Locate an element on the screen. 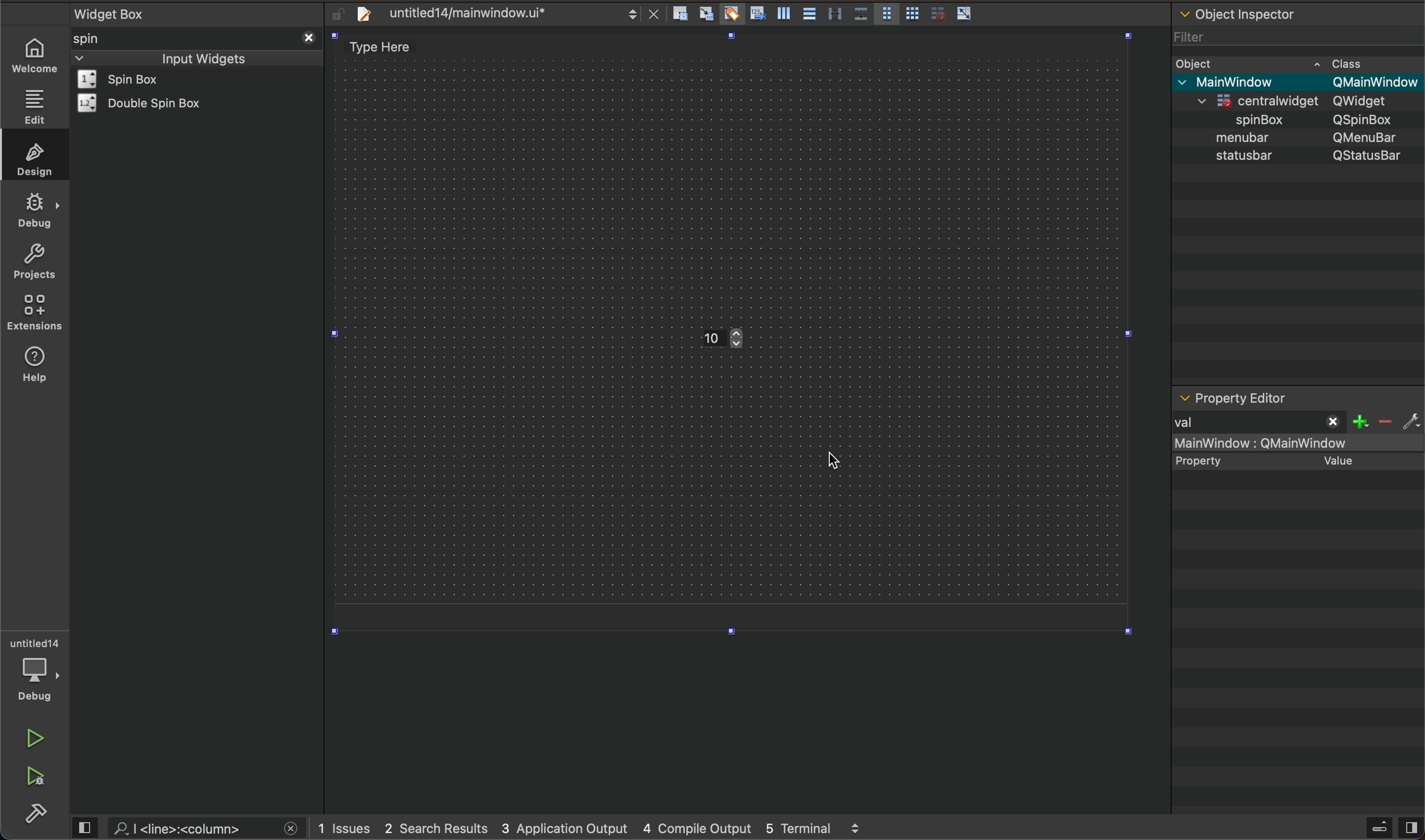 This screenshot has width=1425, height=840. object inspector is located at coordinates (1298, 12).